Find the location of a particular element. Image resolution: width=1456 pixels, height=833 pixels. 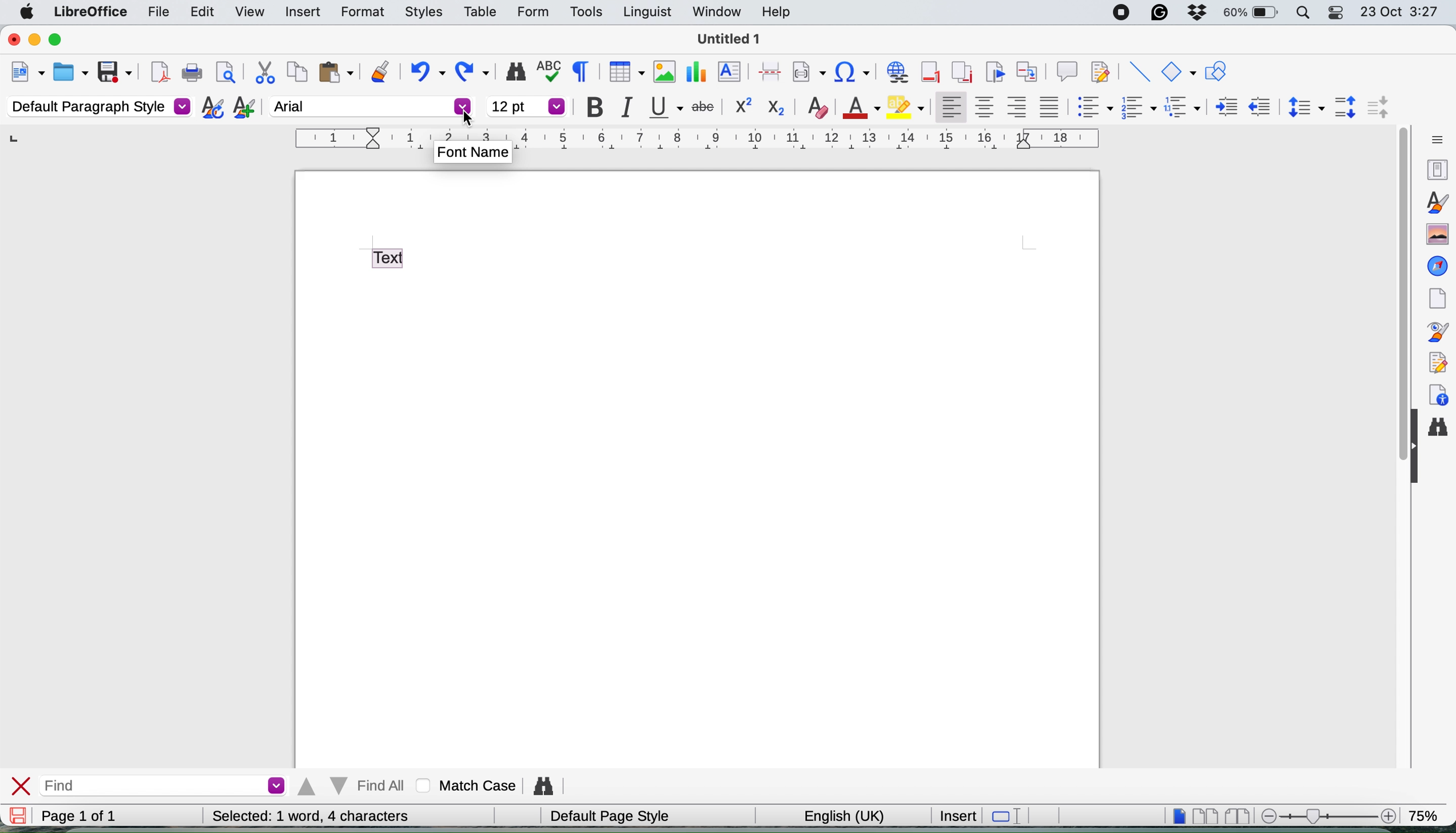

collapse is located at coordinates (1415, 453).